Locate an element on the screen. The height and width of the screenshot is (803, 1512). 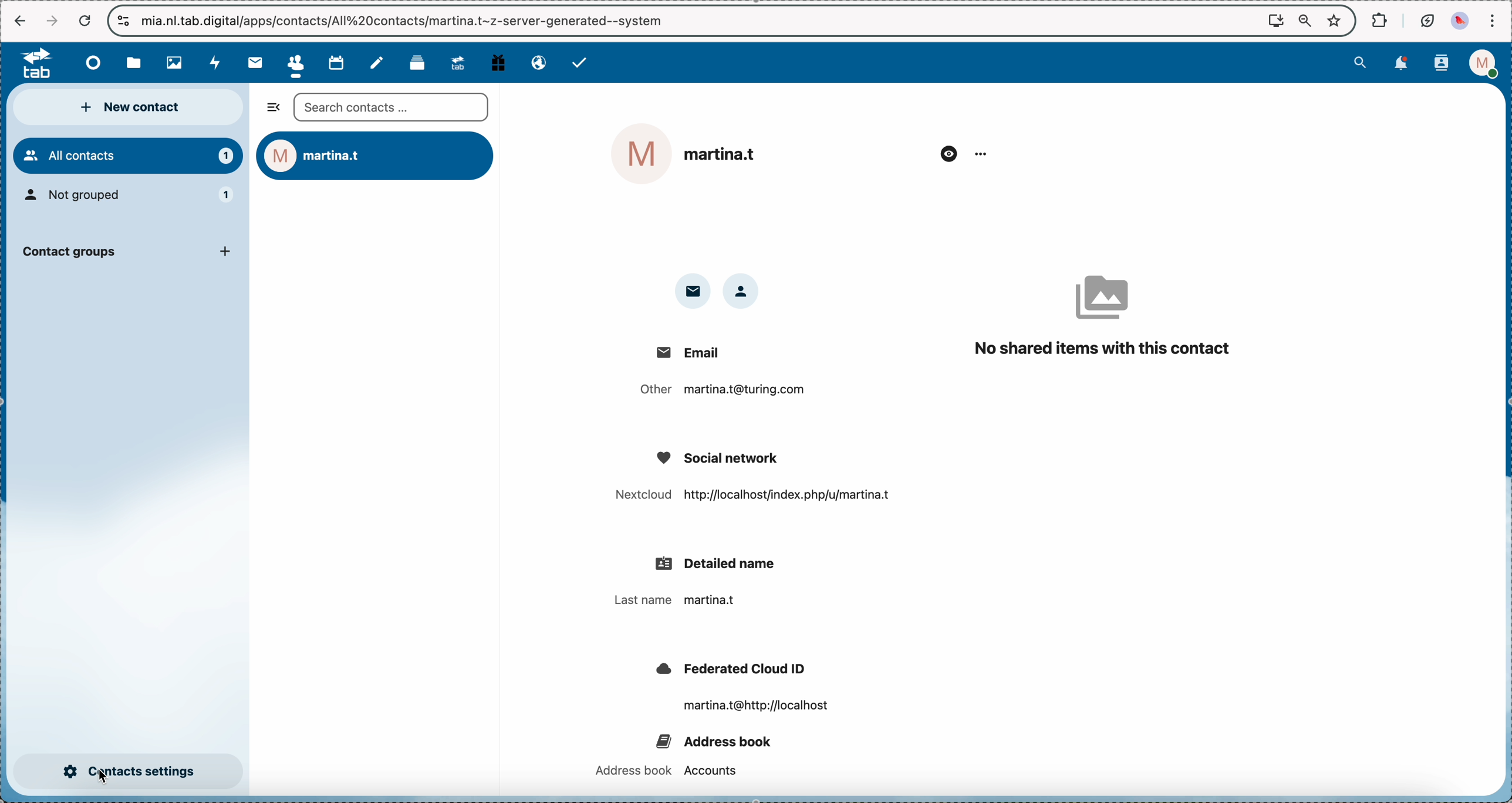
favorites is located at coordinates (1334, 21).